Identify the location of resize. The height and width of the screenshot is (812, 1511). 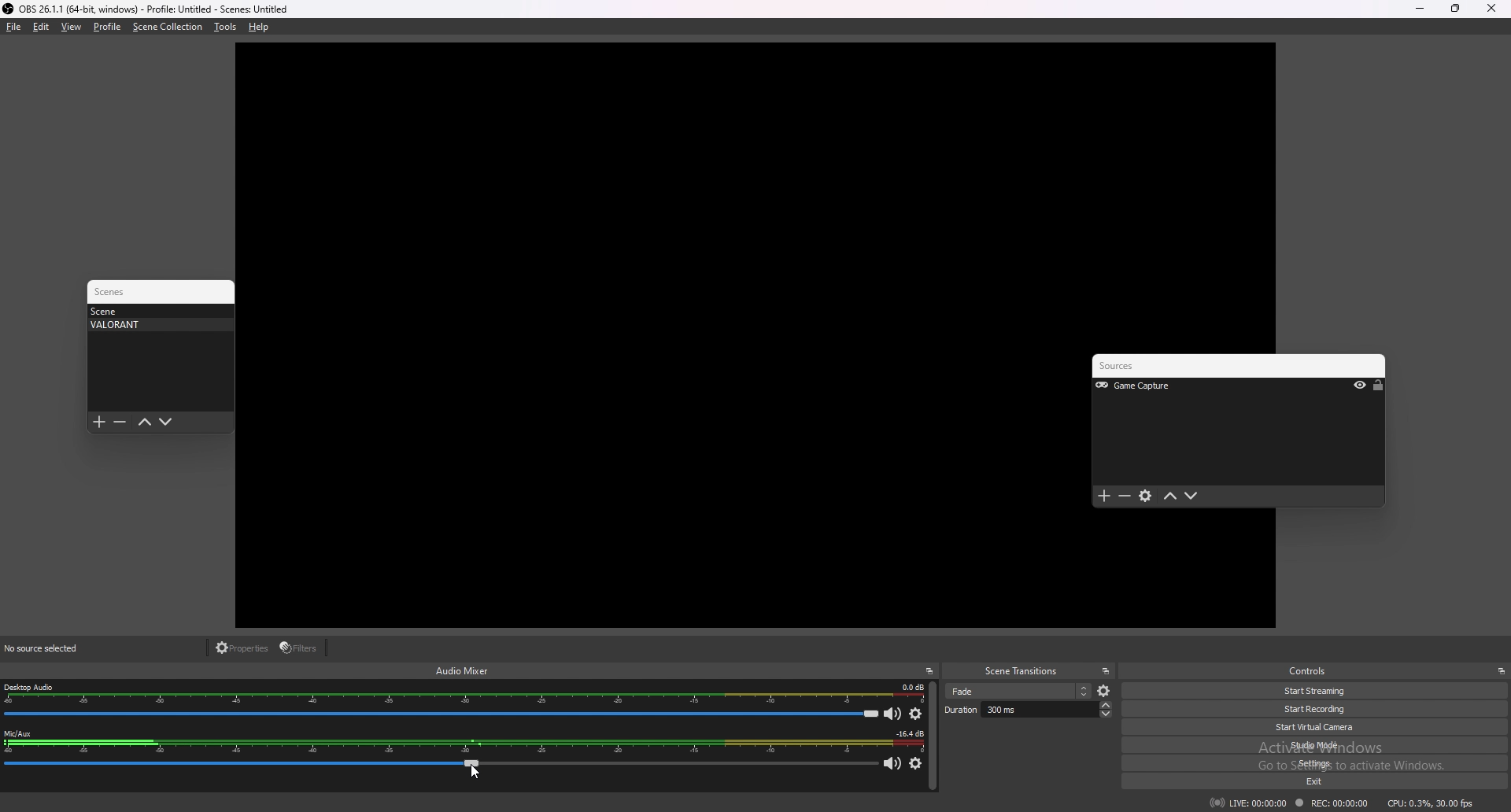
(1455, 8).